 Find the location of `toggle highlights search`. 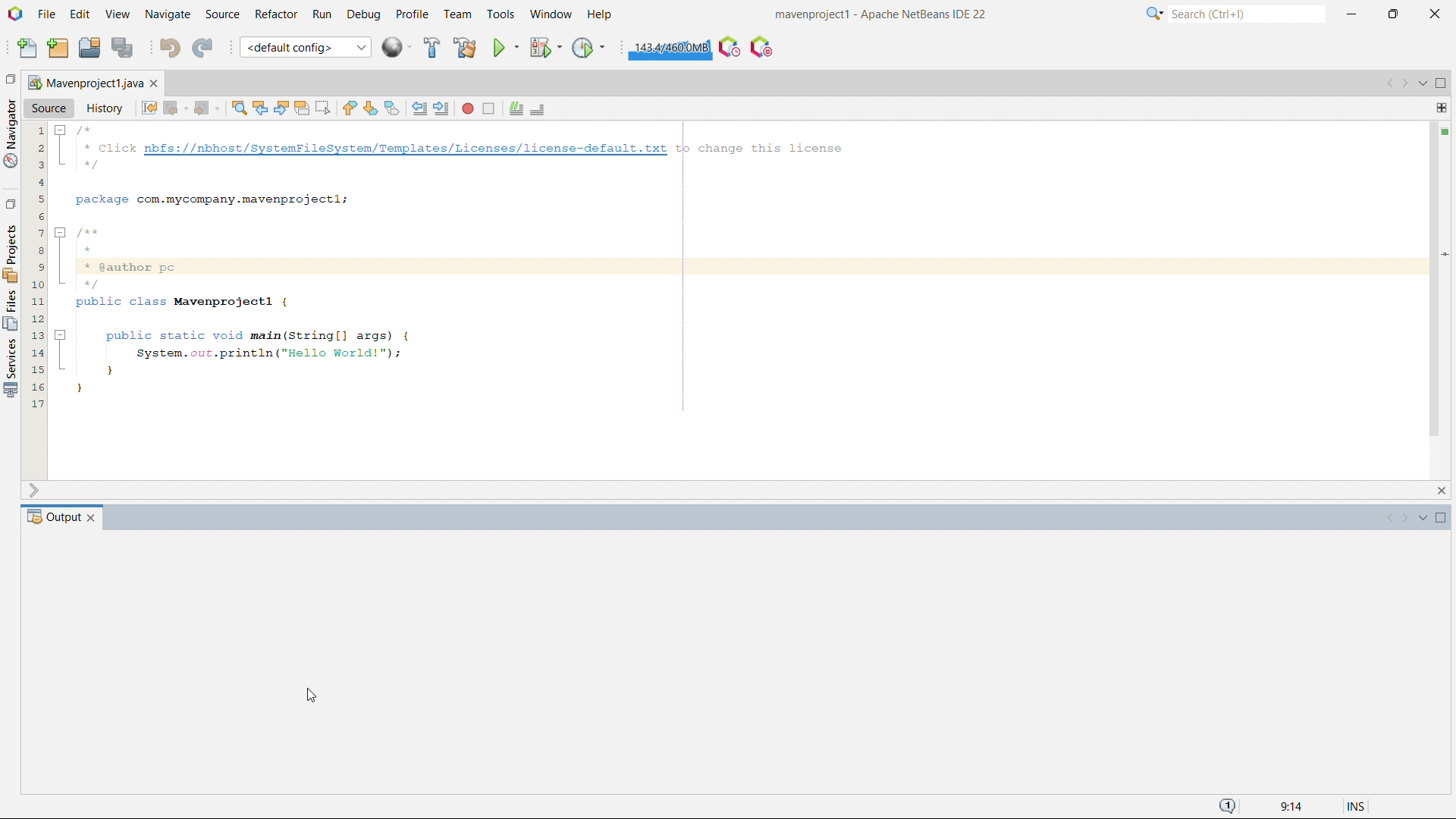

toggle highlights search is located at coordinates (302, 110).